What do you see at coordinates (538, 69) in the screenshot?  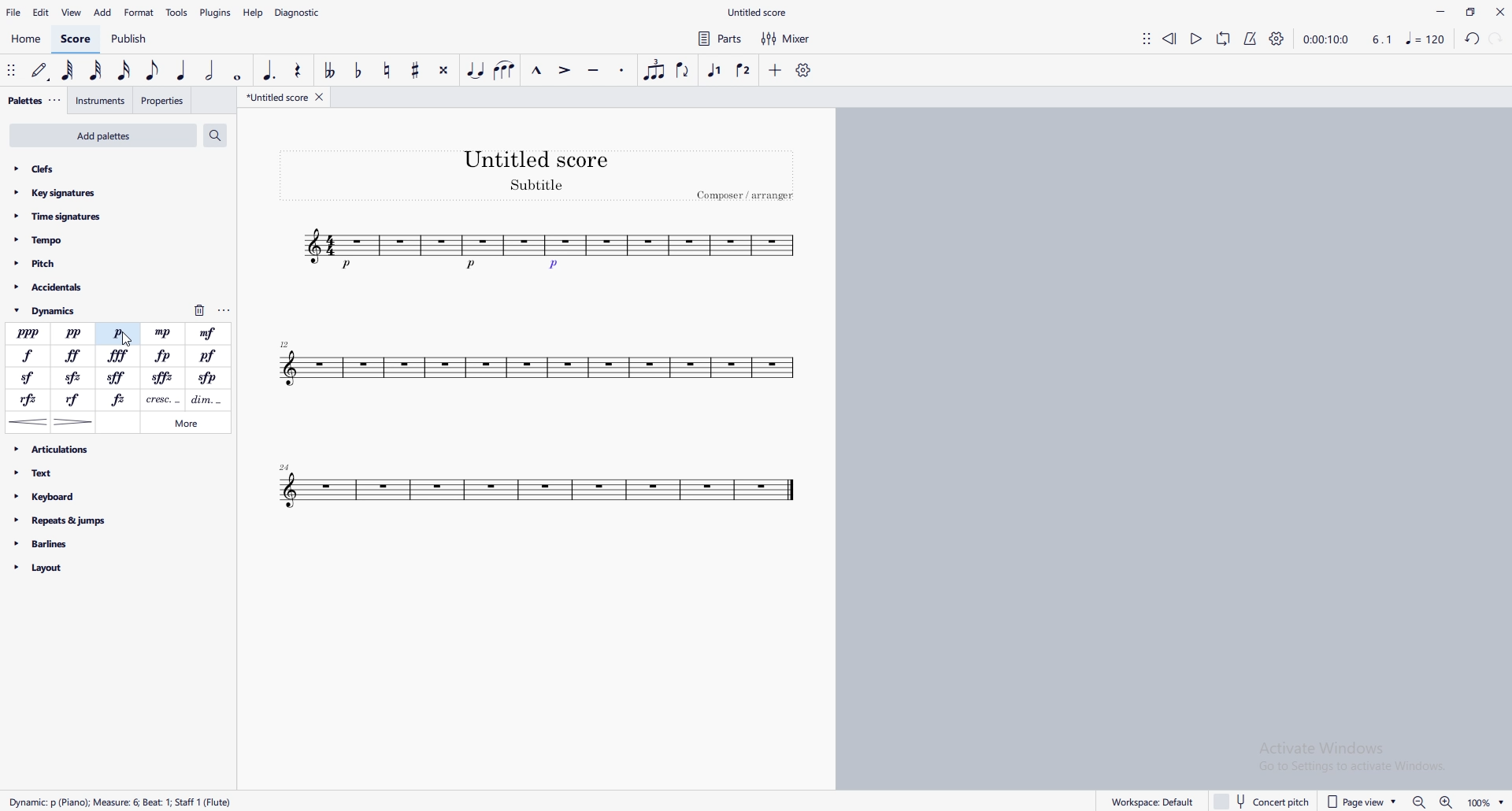 I see `marcato` at bounding box center [538, 69].